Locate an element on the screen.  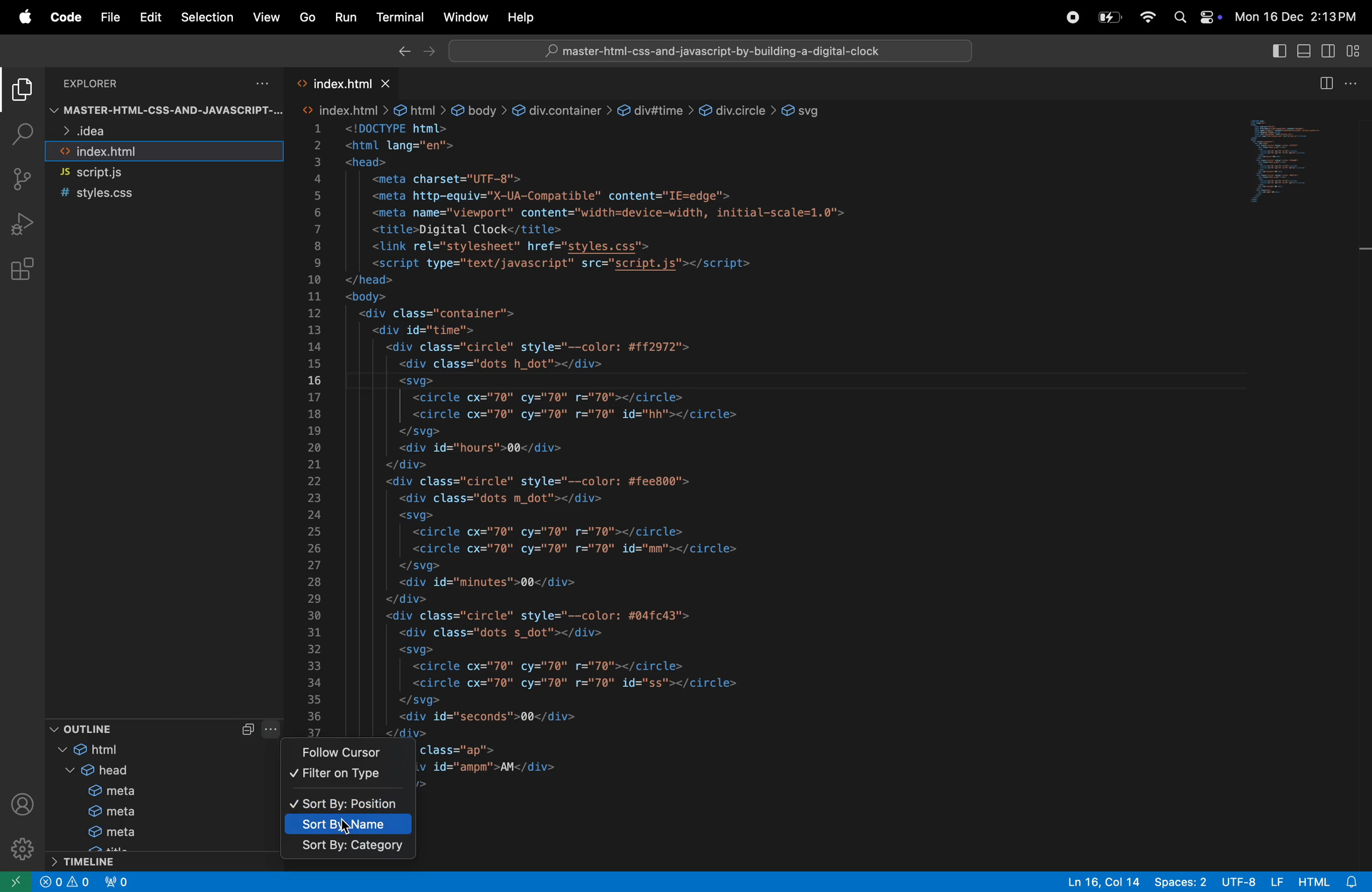
Collapse  is located at coordinates (248, 728).